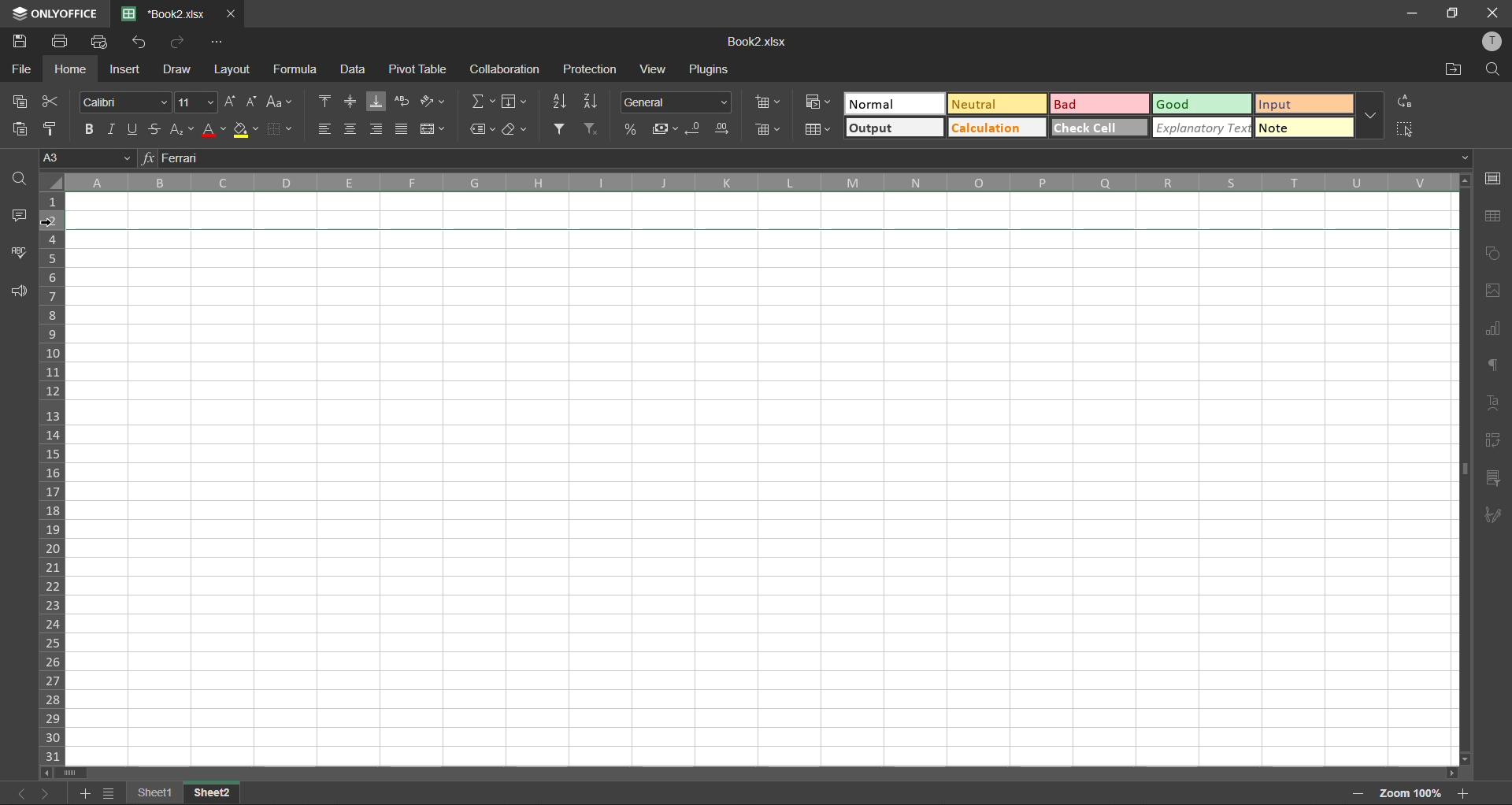  Describe the element at coordinates (1493, 13) in the screenshot. I see `close` at that location.